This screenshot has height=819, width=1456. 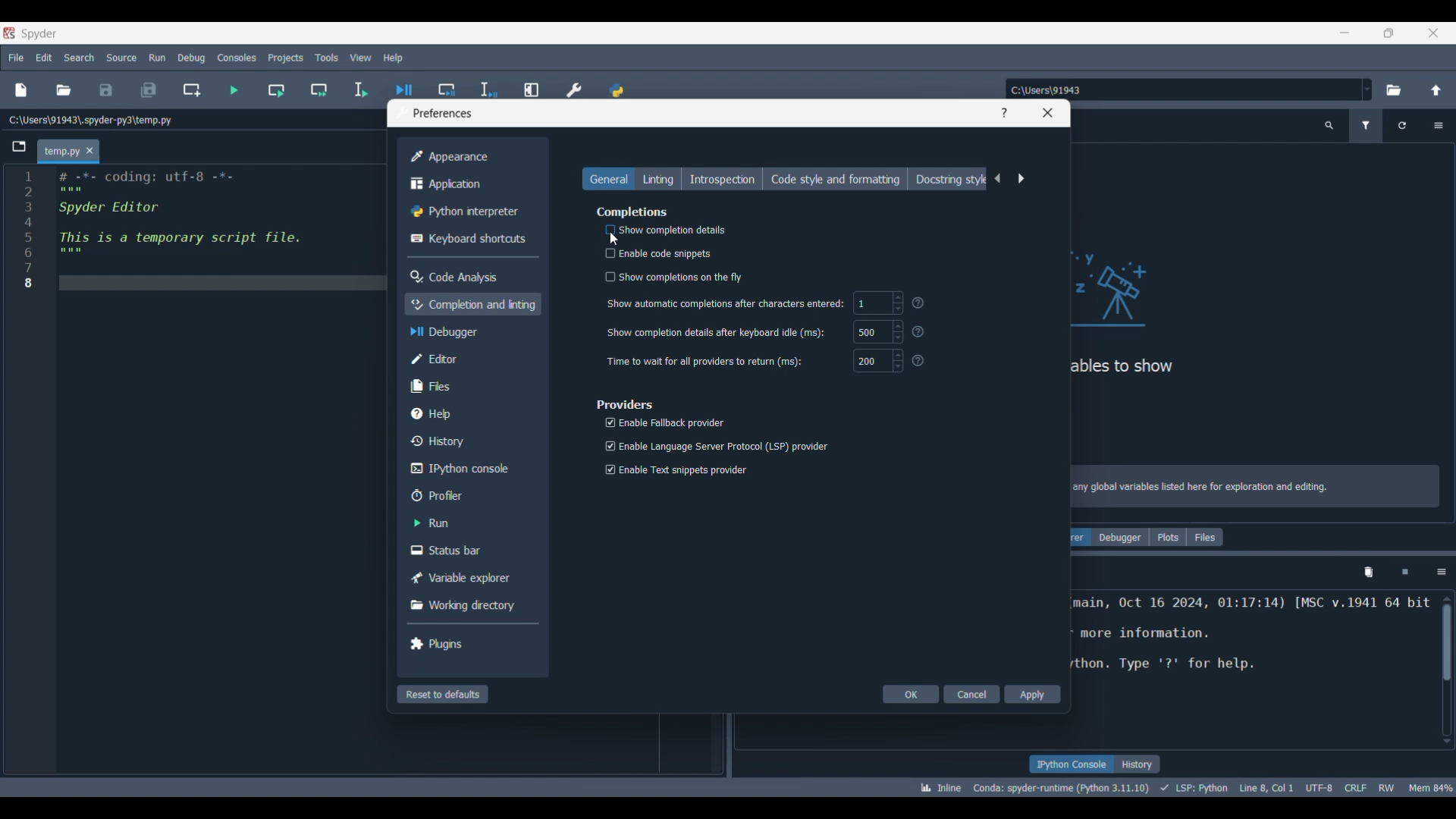 What do you see at coordinates (469, 212) in the screenshot?
I see `Python interpreter` at bounding box center [469, 212].